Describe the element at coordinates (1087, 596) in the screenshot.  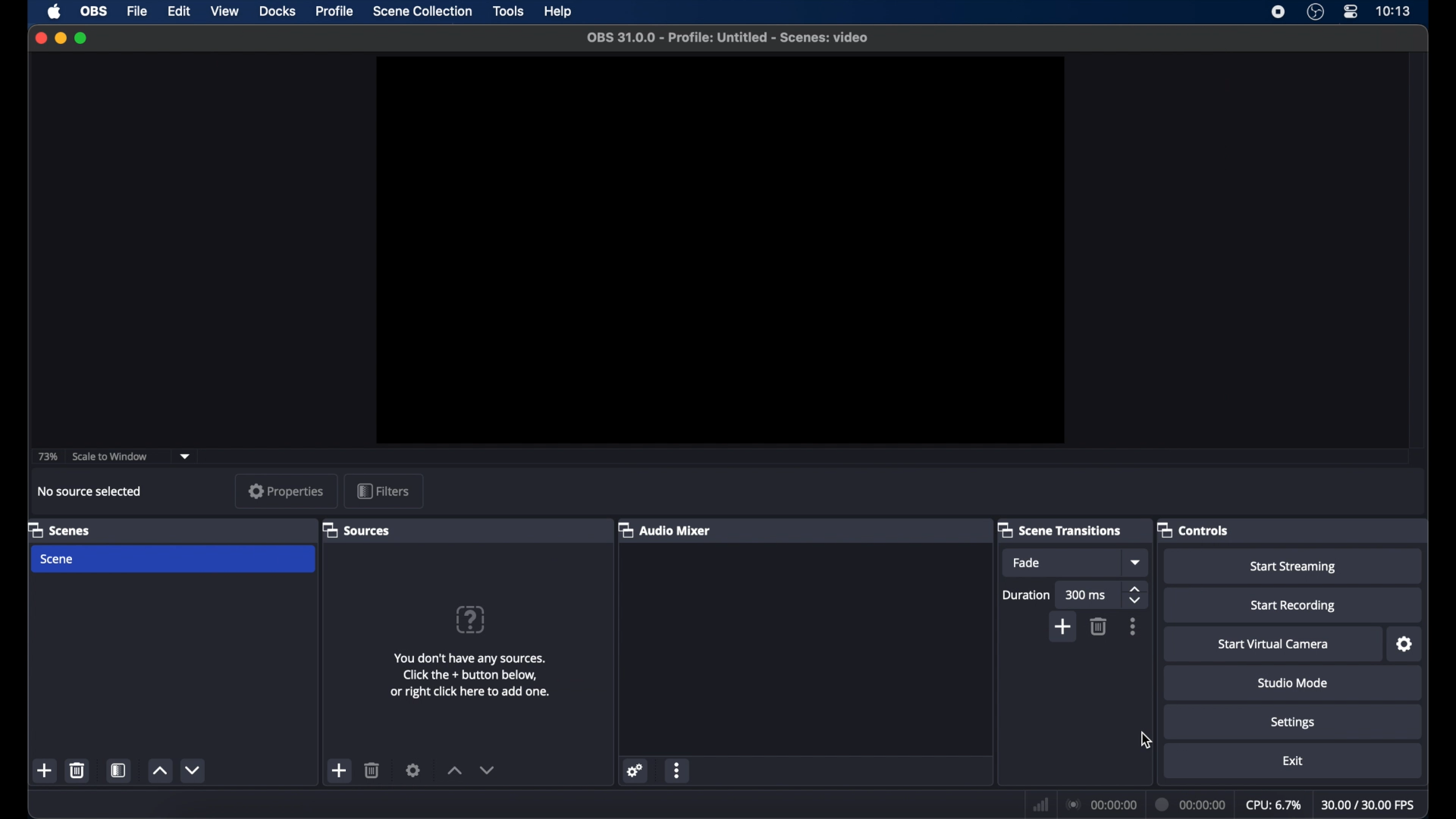
I see `300 ms` at that location.